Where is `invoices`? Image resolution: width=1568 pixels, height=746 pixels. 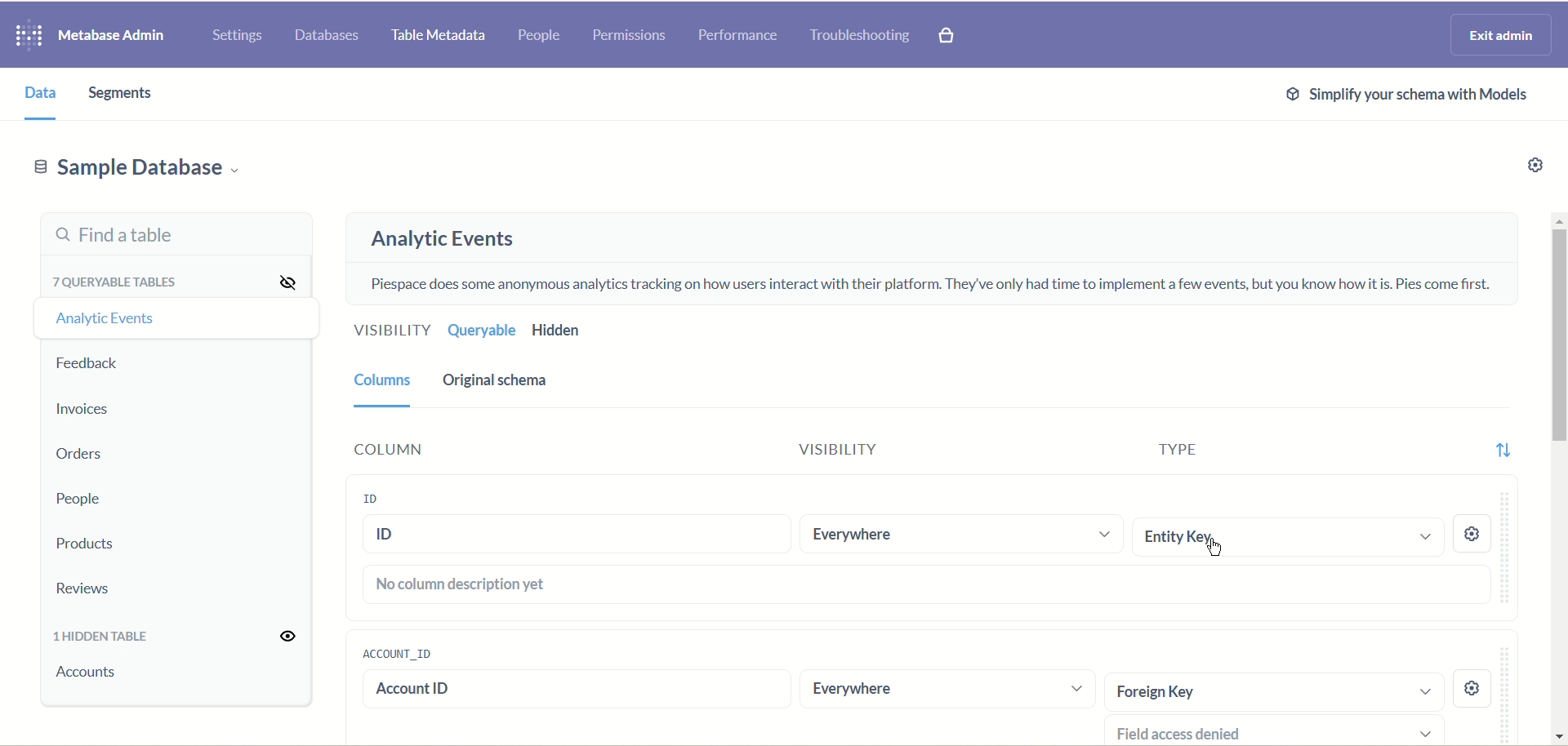 invoices is located at coordinates (82, 409).